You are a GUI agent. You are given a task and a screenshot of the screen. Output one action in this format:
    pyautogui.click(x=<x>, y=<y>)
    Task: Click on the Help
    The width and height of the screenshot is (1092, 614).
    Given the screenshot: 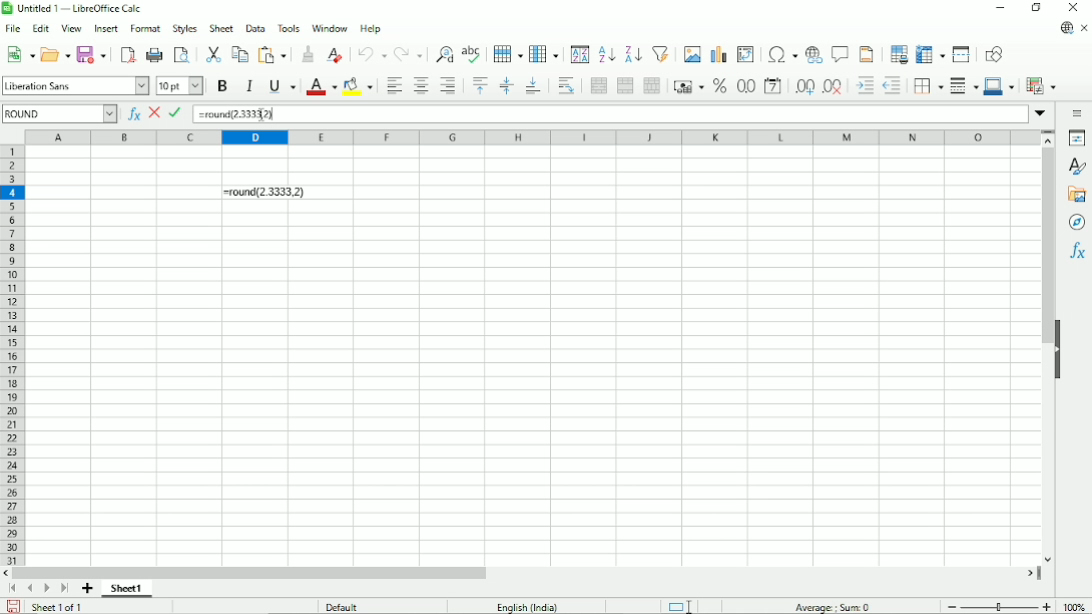 What is the action you would take?
    pyautogui.click(x=371, y=28)
    